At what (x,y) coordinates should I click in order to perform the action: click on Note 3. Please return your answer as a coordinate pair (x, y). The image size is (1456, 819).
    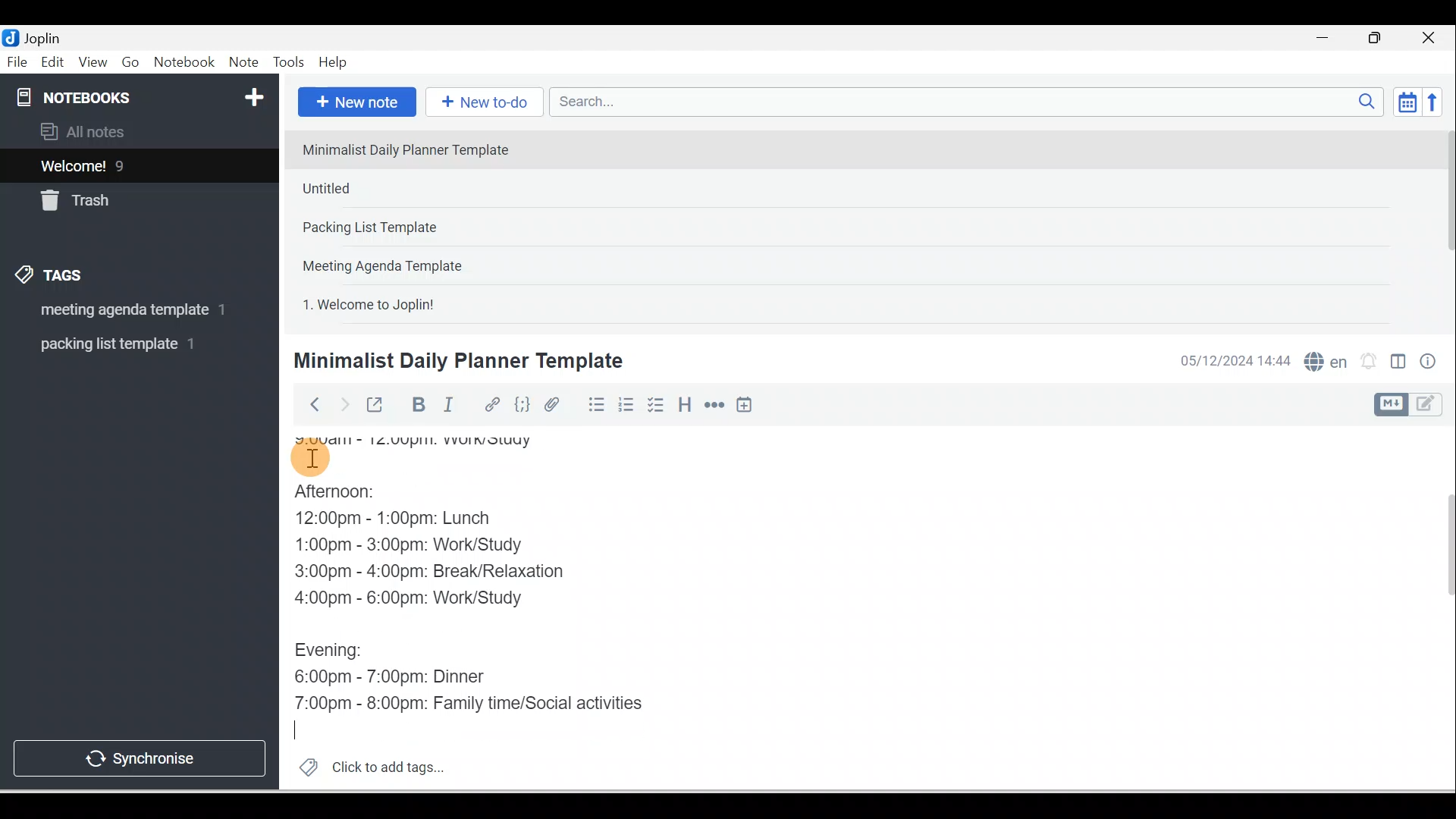
    Looking at the image, I should click on (418, 228).